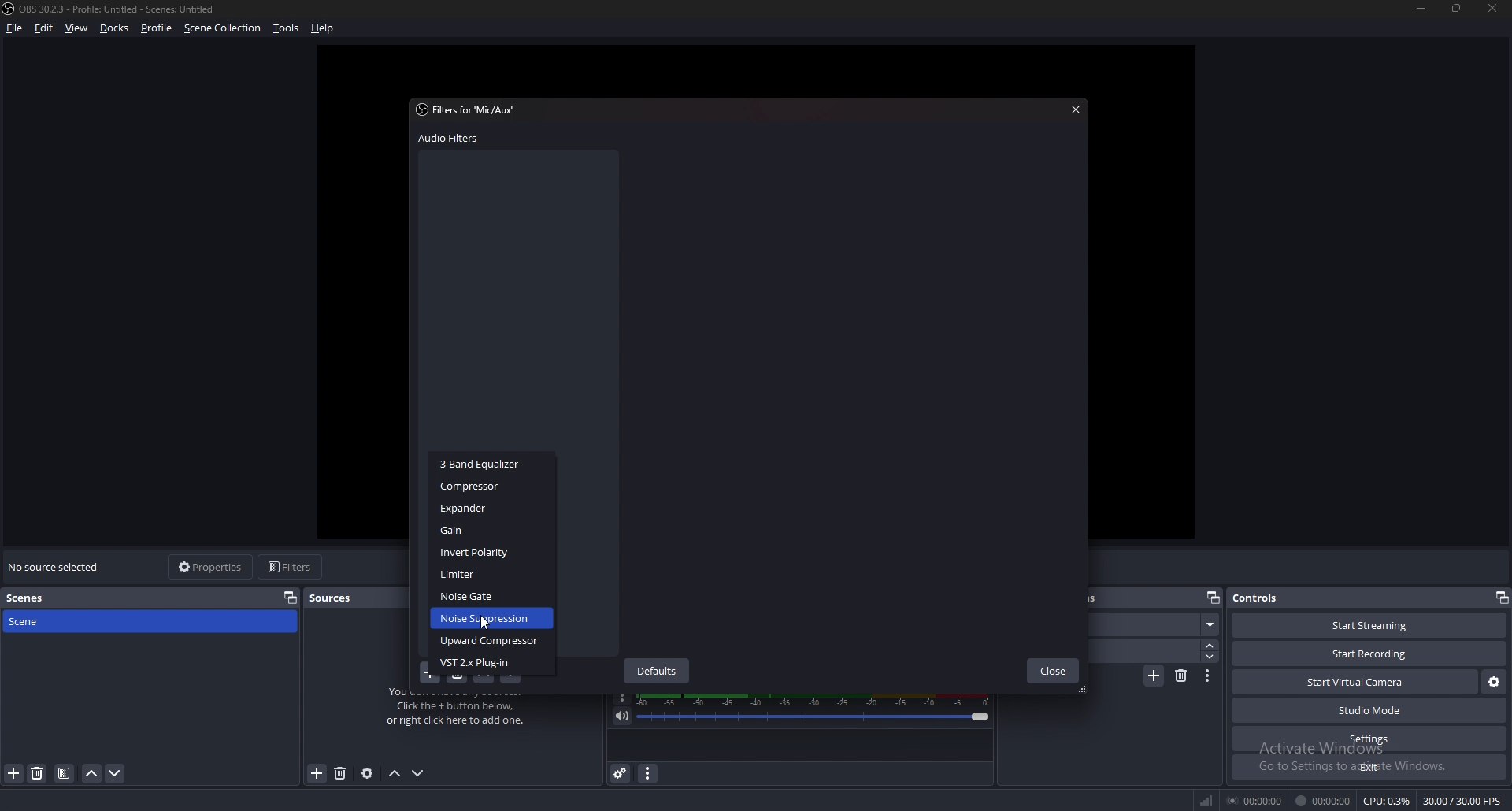 The width and height of the screenshot is (1512, 811). What do you see at coordinates (1459, 8) in the screenshot?
I see `resize` at bounding box center [1459, 8].